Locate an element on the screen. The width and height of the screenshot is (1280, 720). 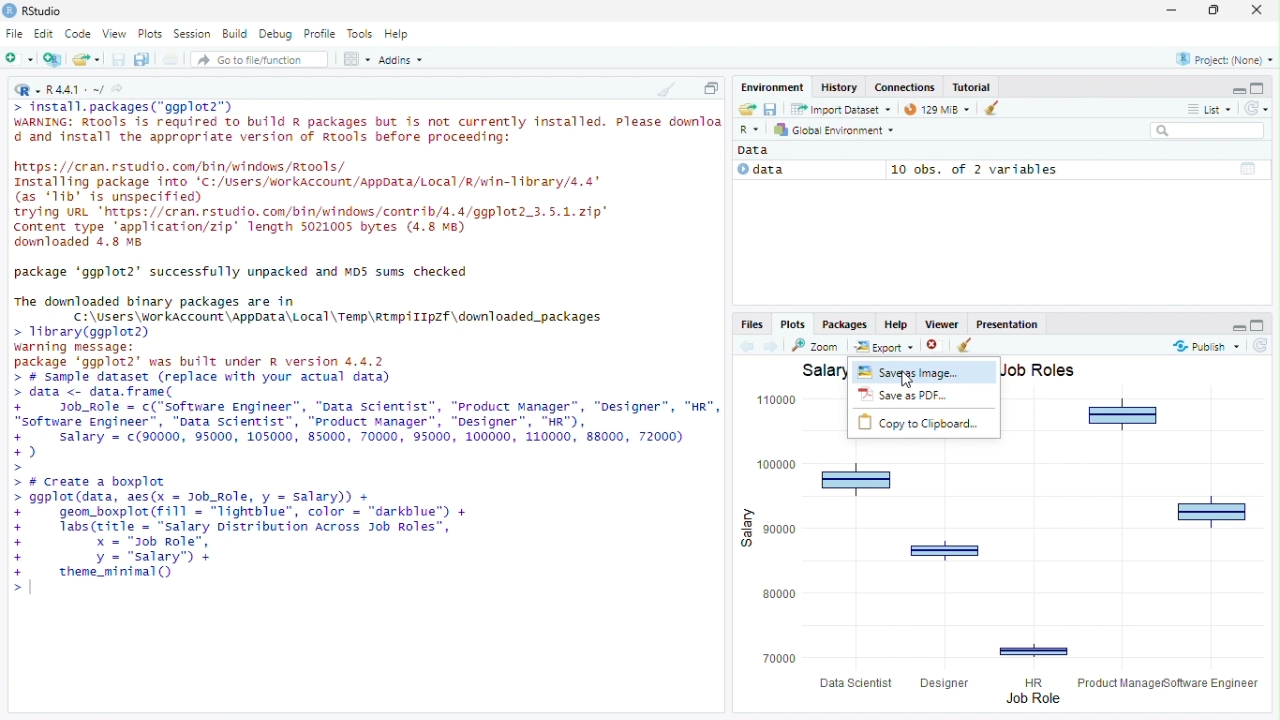
Code - > install.packages("ggplot2") WARNING: Rtools is required to build R packages but is not currently installed. Please downloa d and install the appropriate version of Rtools before proceeding:  https://cran.rstudio.com/bin/windows/Rtools/ Installing package into 'C:/Users/workAccount/AppData/Local/R/win-library/4.4' (as 'lib' is unspecified) trying URL 'https://cran.rstudio.com/bin/windows/contrib/4.4/ggplot2_3.5.1.zip' Content type 'application/zip' length 5021005 bytes (4.8 MB) downloaded 4.8 MB  package ggplot2' successfully unpacked and MD5 sums checked The downloaded binary packages are in C:\Users\workAccount\AppData\Local\Temp\RtmpiIIpZf\downloaded_packages > library(ggplot2) > Files warning message: package ggplot2' was built under R version 4.4.2 > # Sample dataset (replace with your actual data) > data <- data.frame( + Job_Role c("Software Engineer", "Data Scientist", "Product Manager", "Designer", "HR", "Software Engineer", "Data Scientist", "Product Manager", "Designer", "HR"), + salary c(90000, 95000, 105000, 85000, 70000, 95000, 100000, 110000, 88000, 72000)  > Create a boxplot > ggplot(data, aes (x Job Role, y salary)) + geom_boxplot(fill "lightblue", color "darkblue") + + + labs (title "Salary Distribution Across Job Roles", y = "salary") + + x = "Job Role", theme minimal() is located at coordinates (365, 347).